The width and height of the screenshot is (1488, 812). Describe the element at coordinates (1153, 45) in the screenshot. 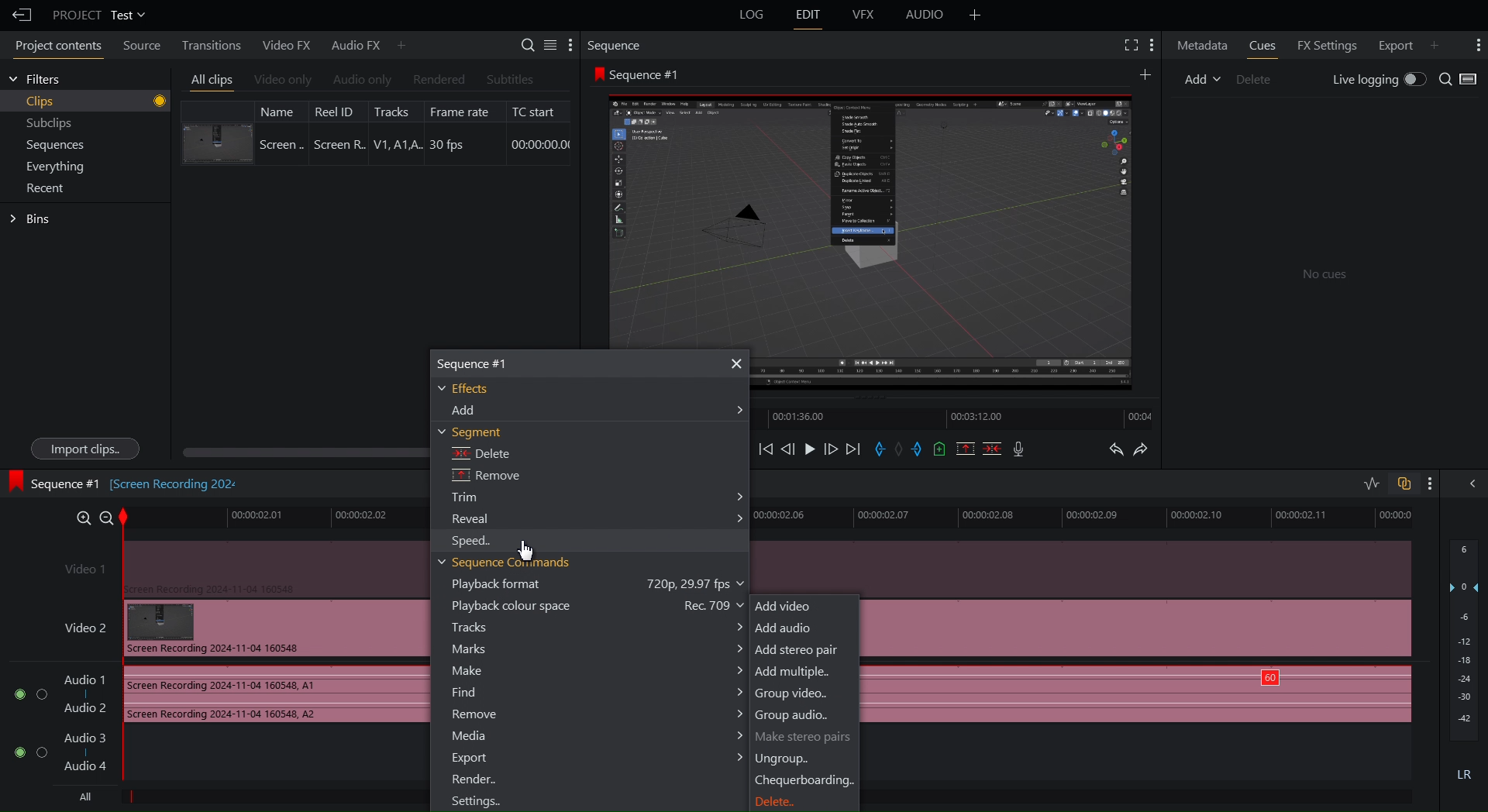

I see `More` at that location.